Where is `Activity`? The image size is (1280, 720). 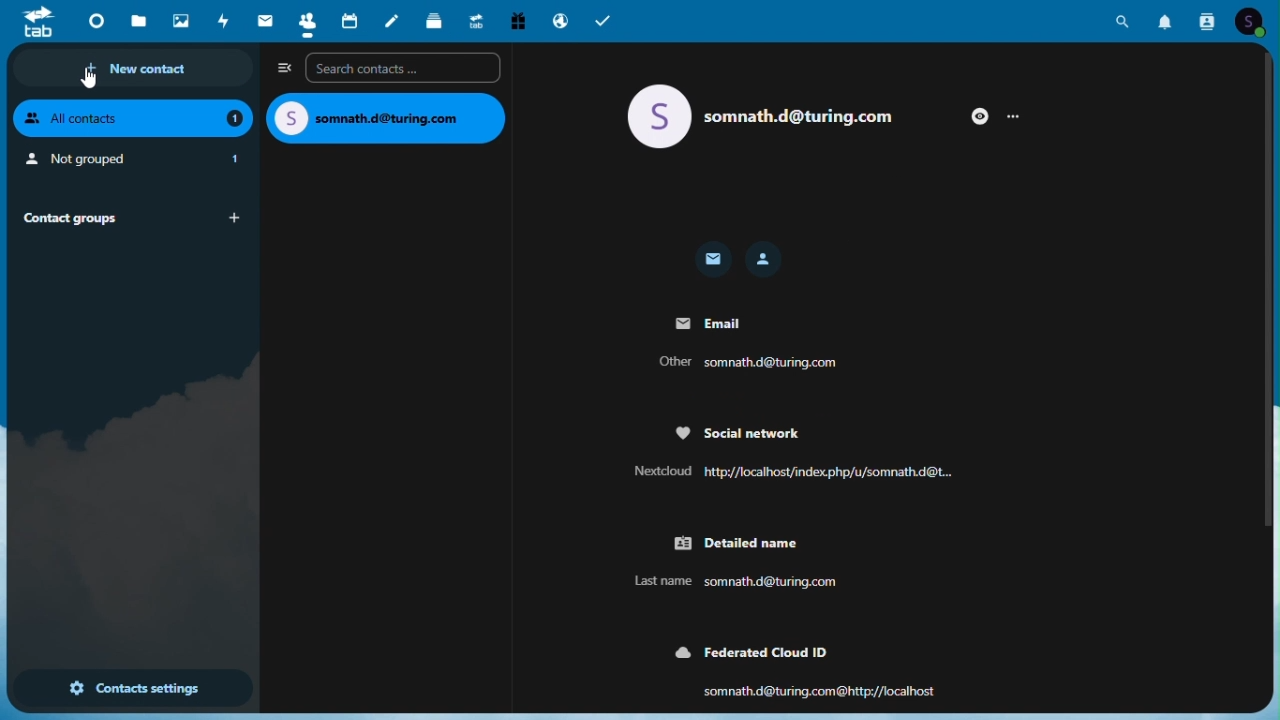 Activity is located at coordinates (225, 21).